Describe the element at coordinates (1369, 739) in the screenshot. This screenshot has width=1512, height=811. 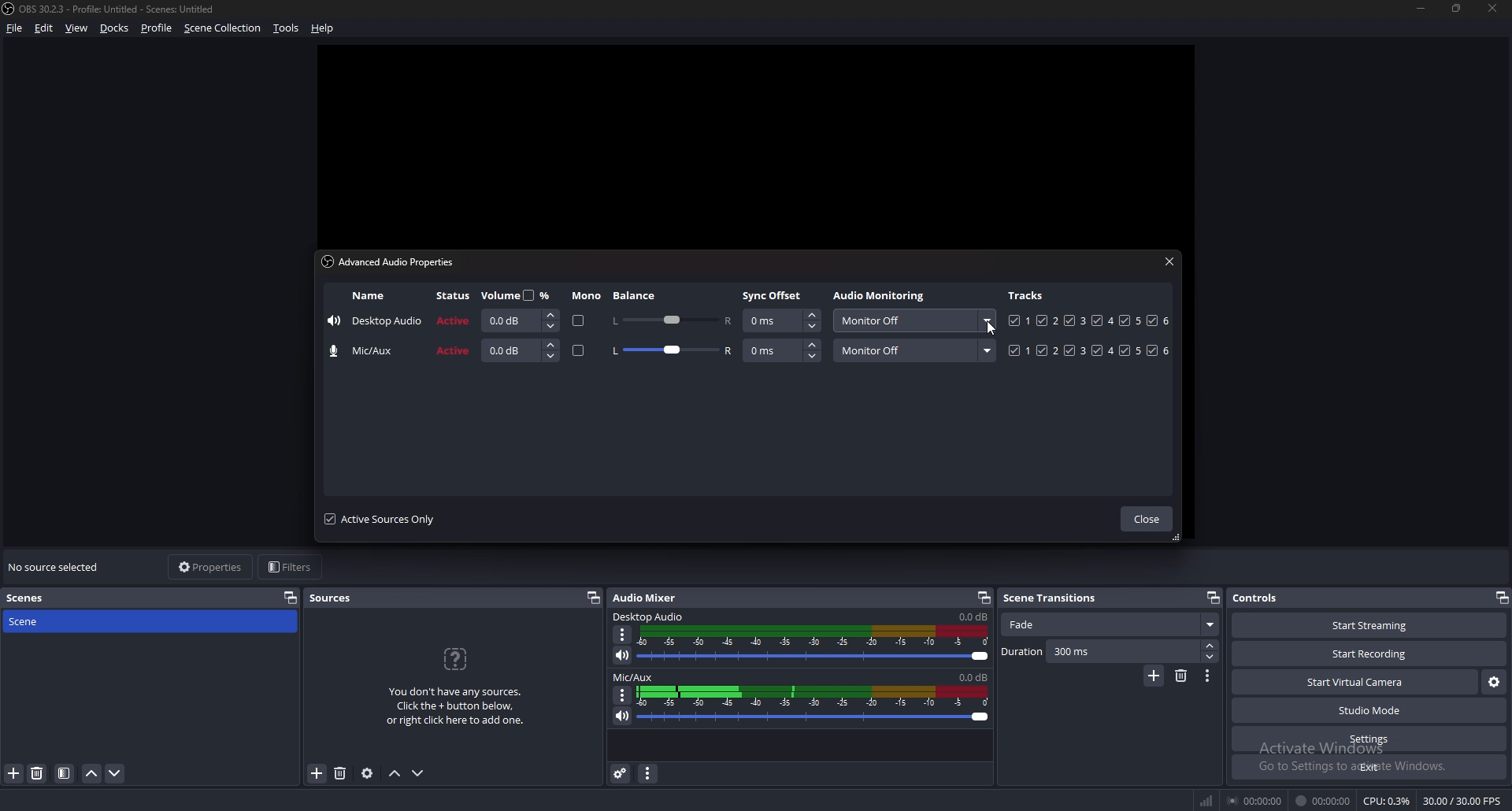
I see `settings` at that location.